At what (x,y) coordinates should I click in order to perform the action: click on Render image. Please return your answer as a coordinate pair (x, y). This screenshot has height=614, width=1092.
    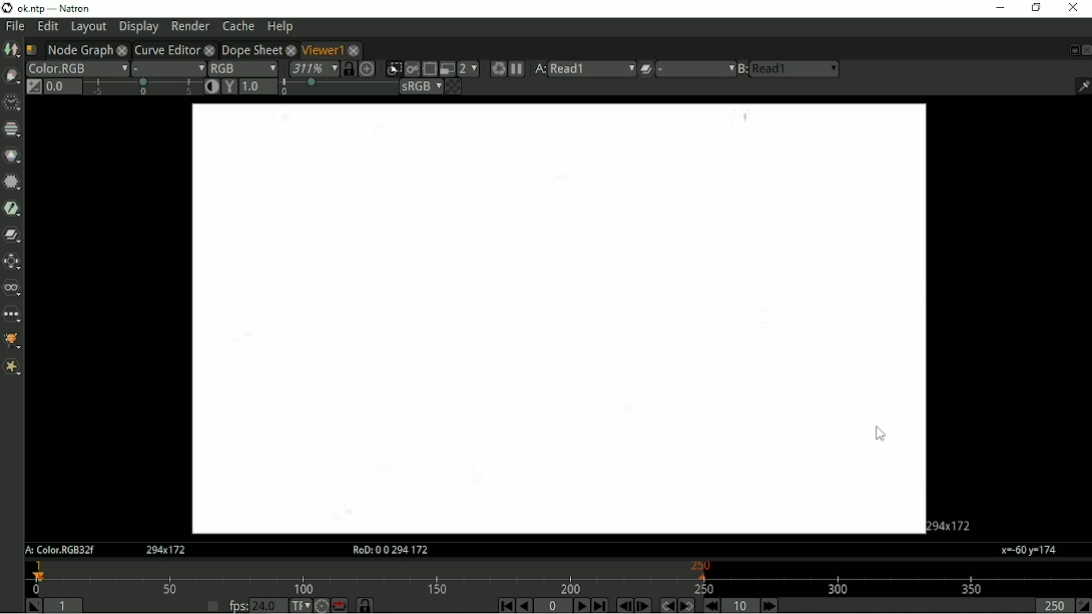
    Looking at the image, I should click on (411, 69).